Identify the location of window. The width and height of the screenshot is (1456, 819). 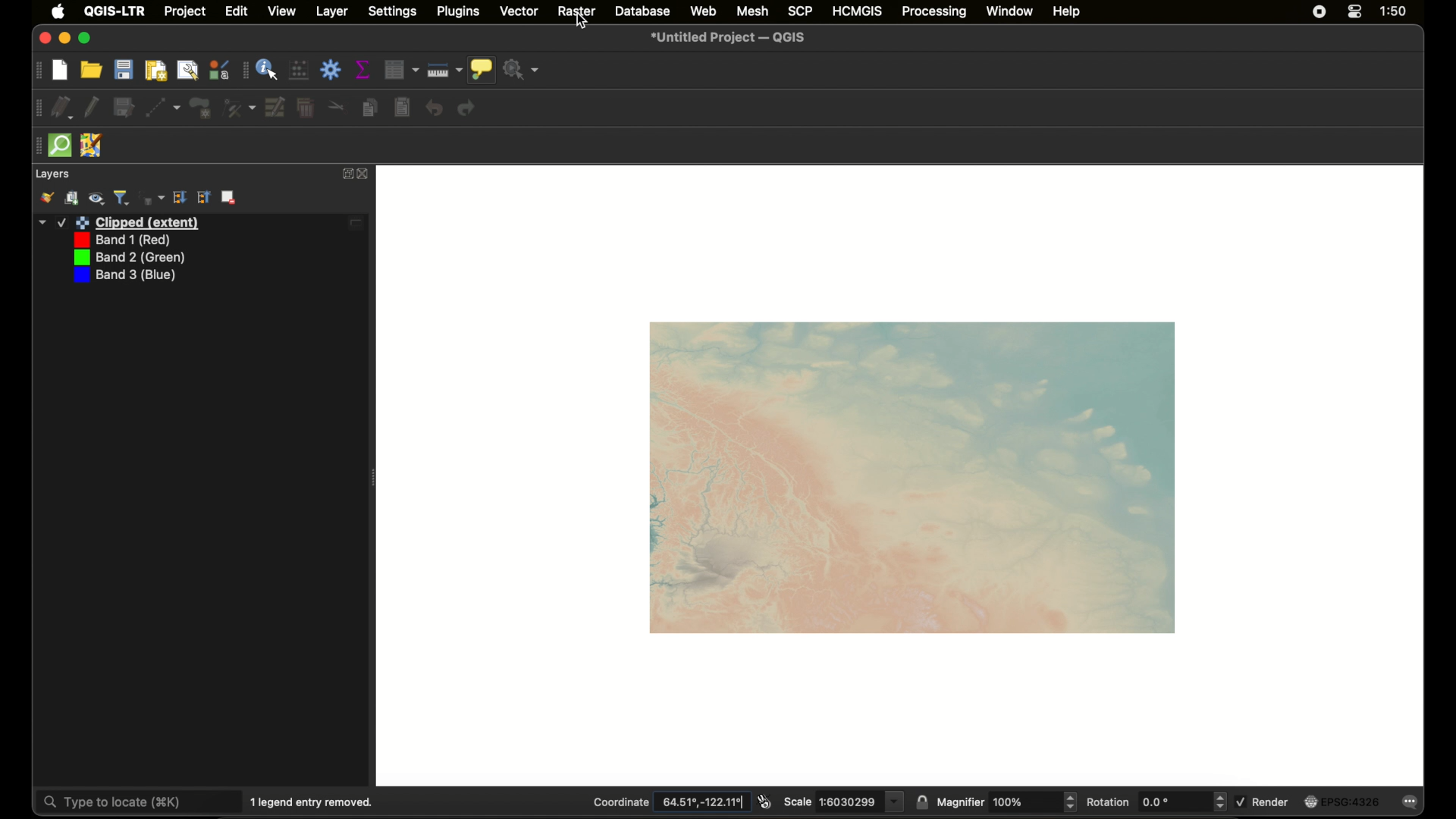
(1009, 11).